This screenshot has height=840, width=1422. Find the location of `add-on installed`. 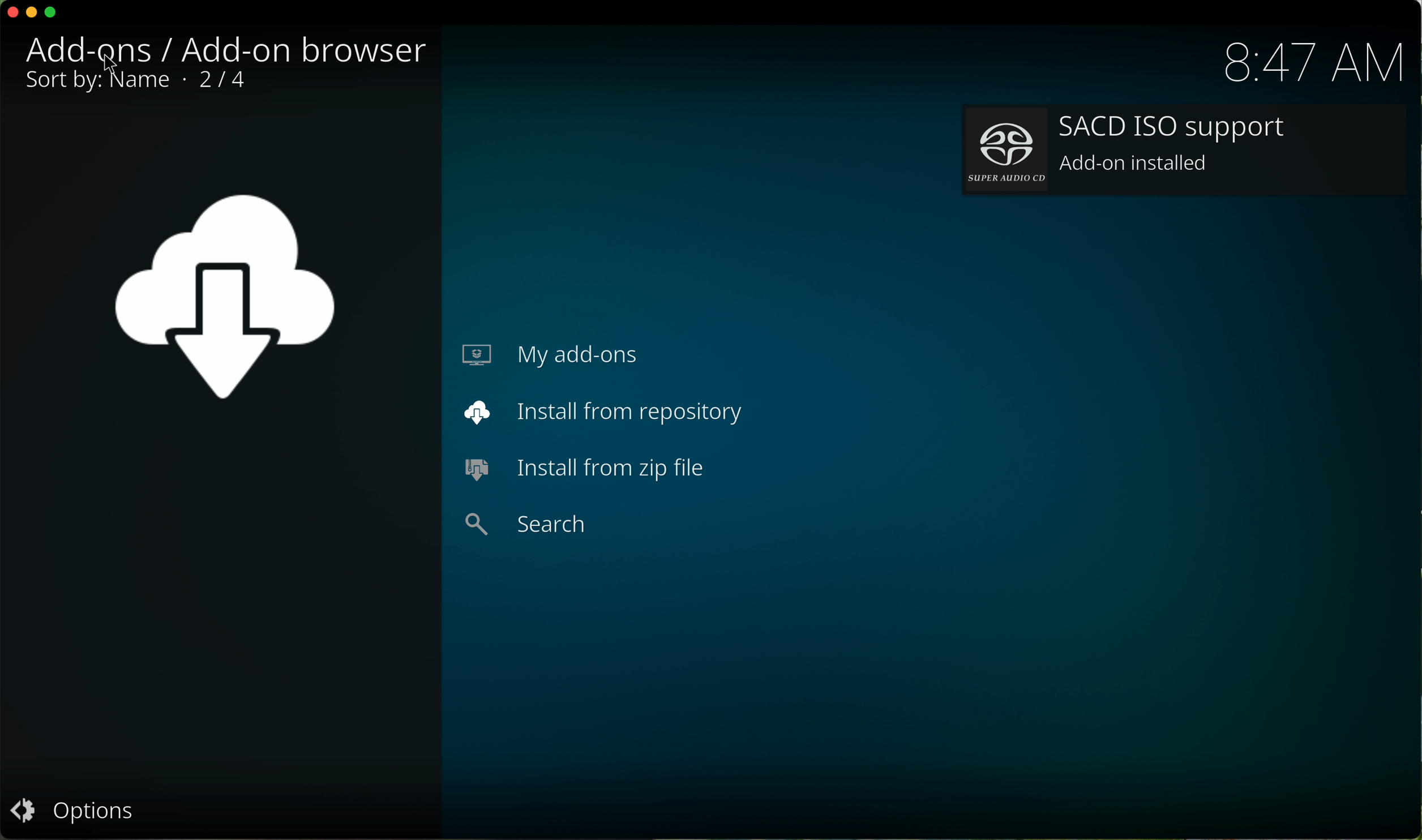

add-on installed is located at coordinates (1191, 149).